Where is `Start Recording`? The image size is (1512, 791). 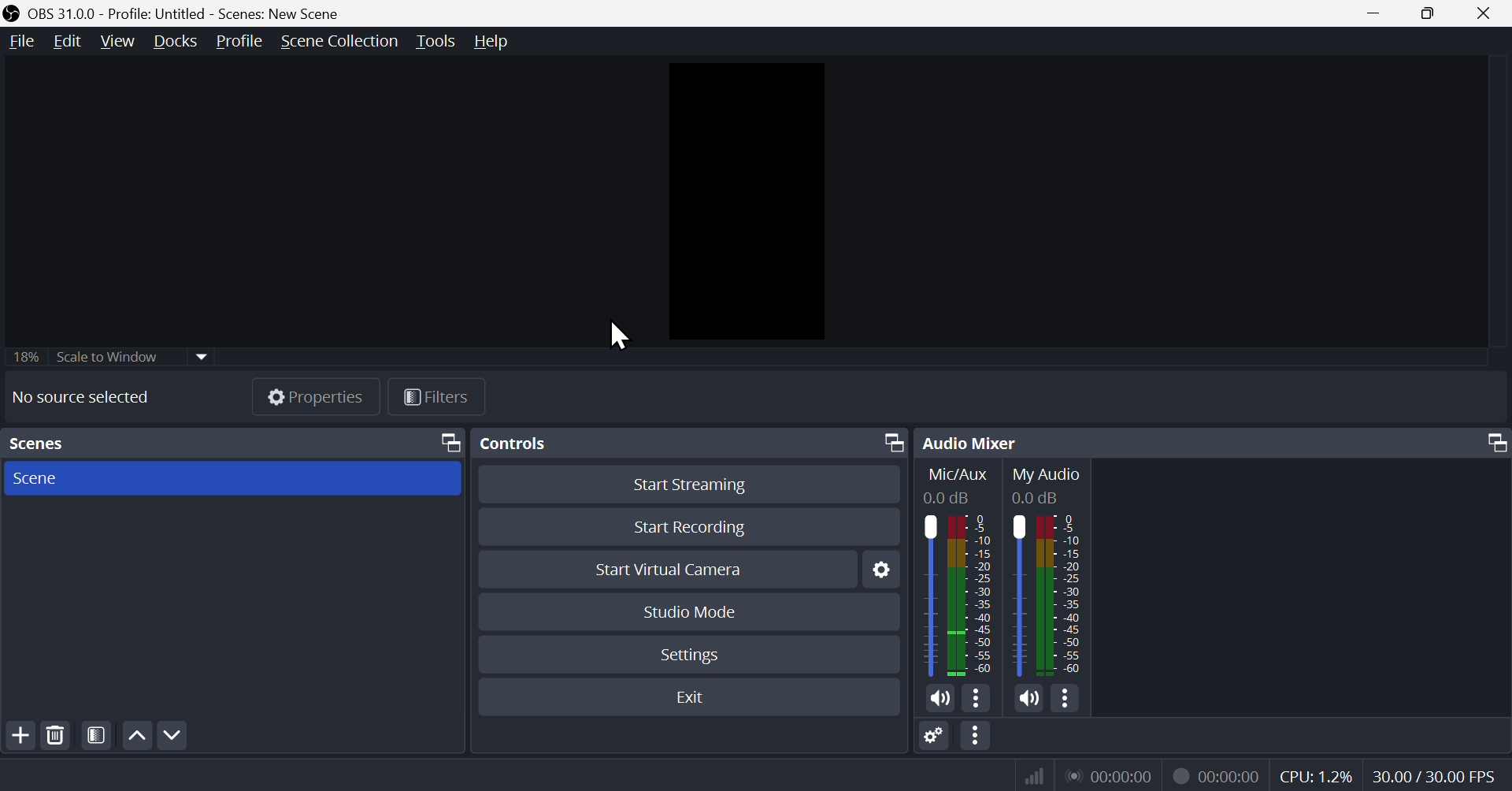 Start Recording is located at coordinates (692, 525).